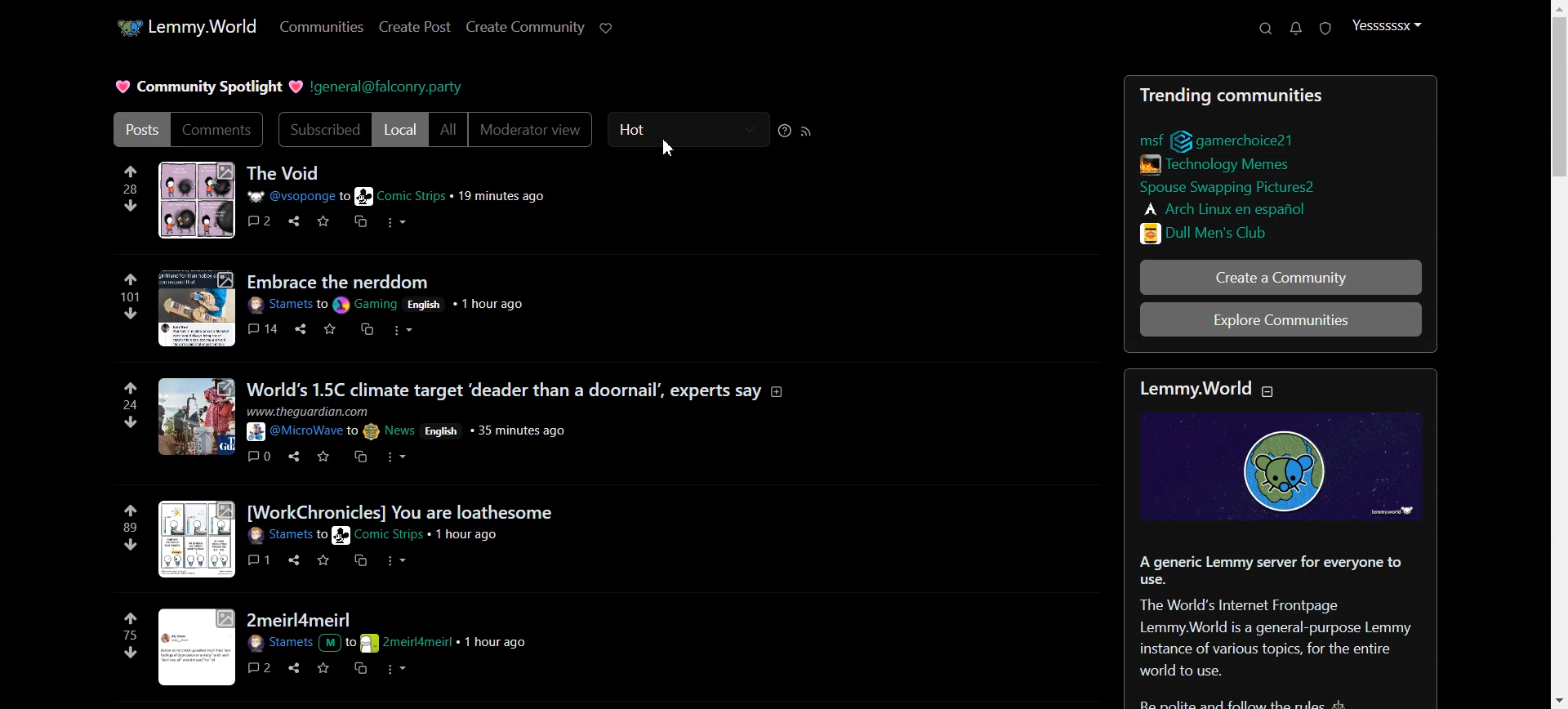 The width and height of the screenshot is (1568, 709). I want to click on image, so click(196, 539).